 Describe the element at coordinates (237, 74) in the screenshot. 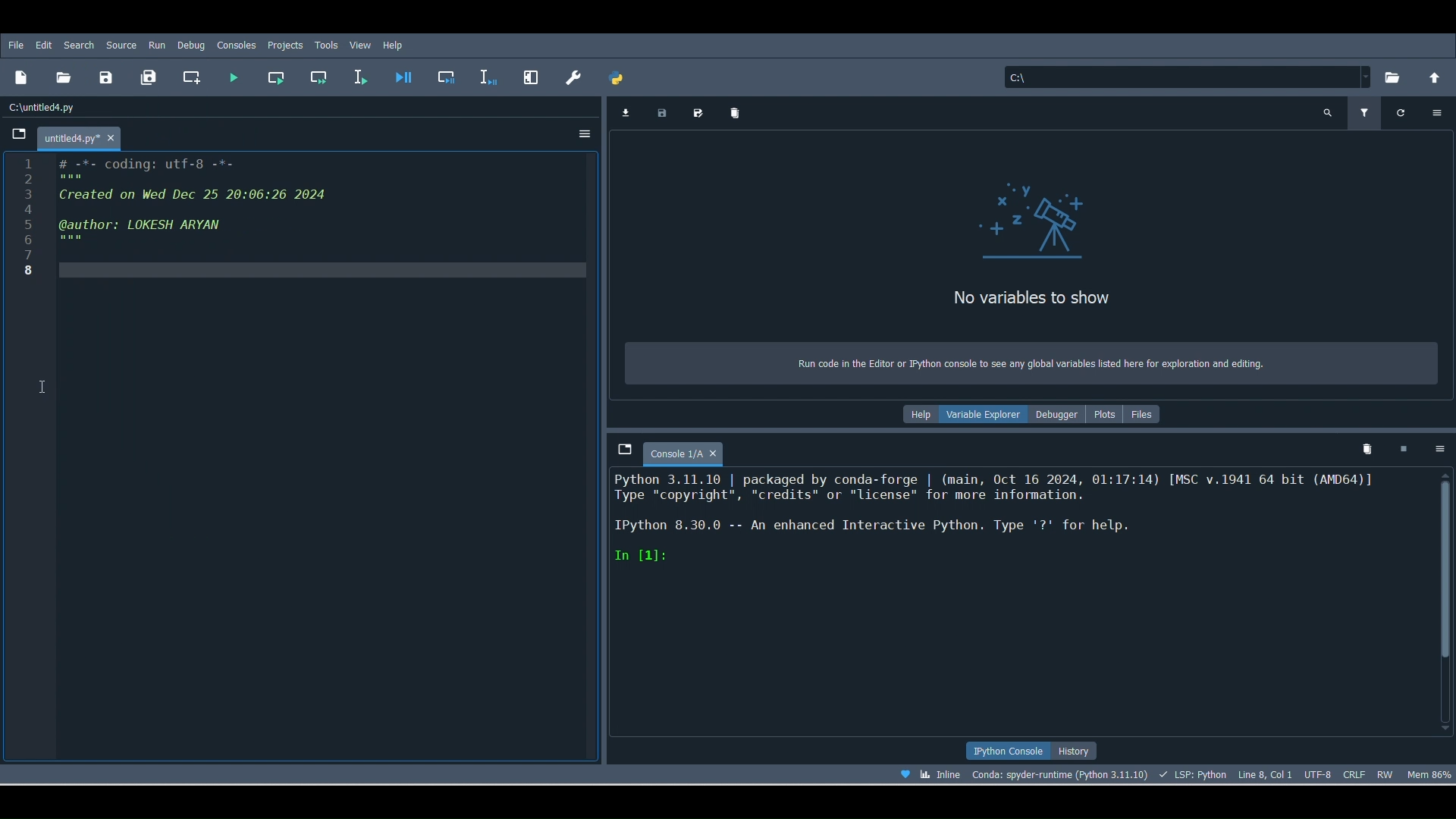

I see `Run file(F5)` at that location.